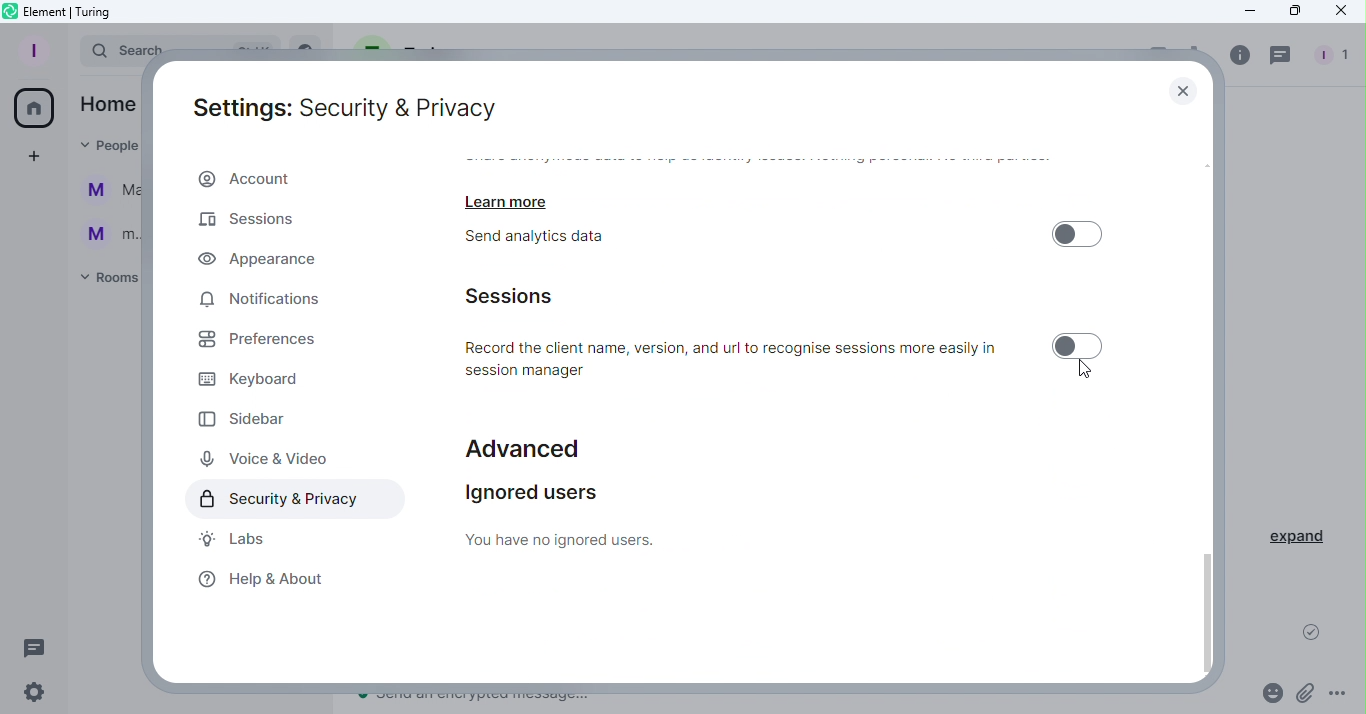  I want to click on Scroll bar, so click(1211, 412).